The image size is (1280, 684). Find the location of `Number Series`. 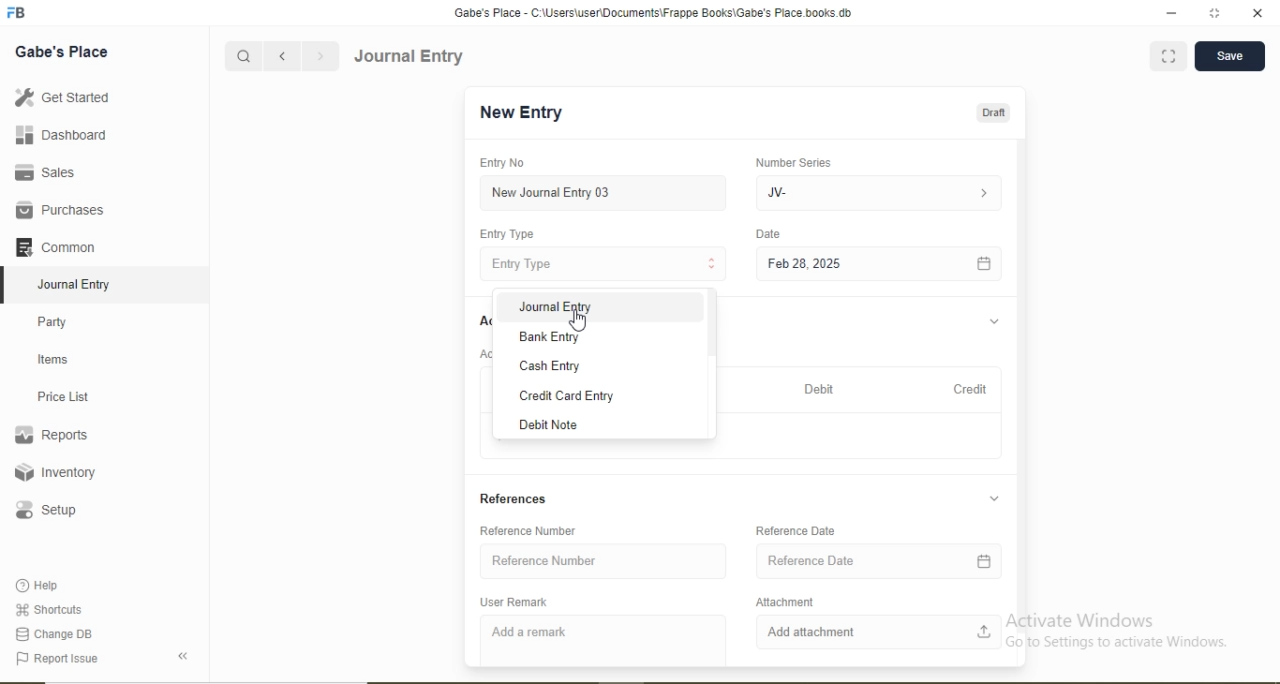

Number Series is located at coordinates (793, 163).